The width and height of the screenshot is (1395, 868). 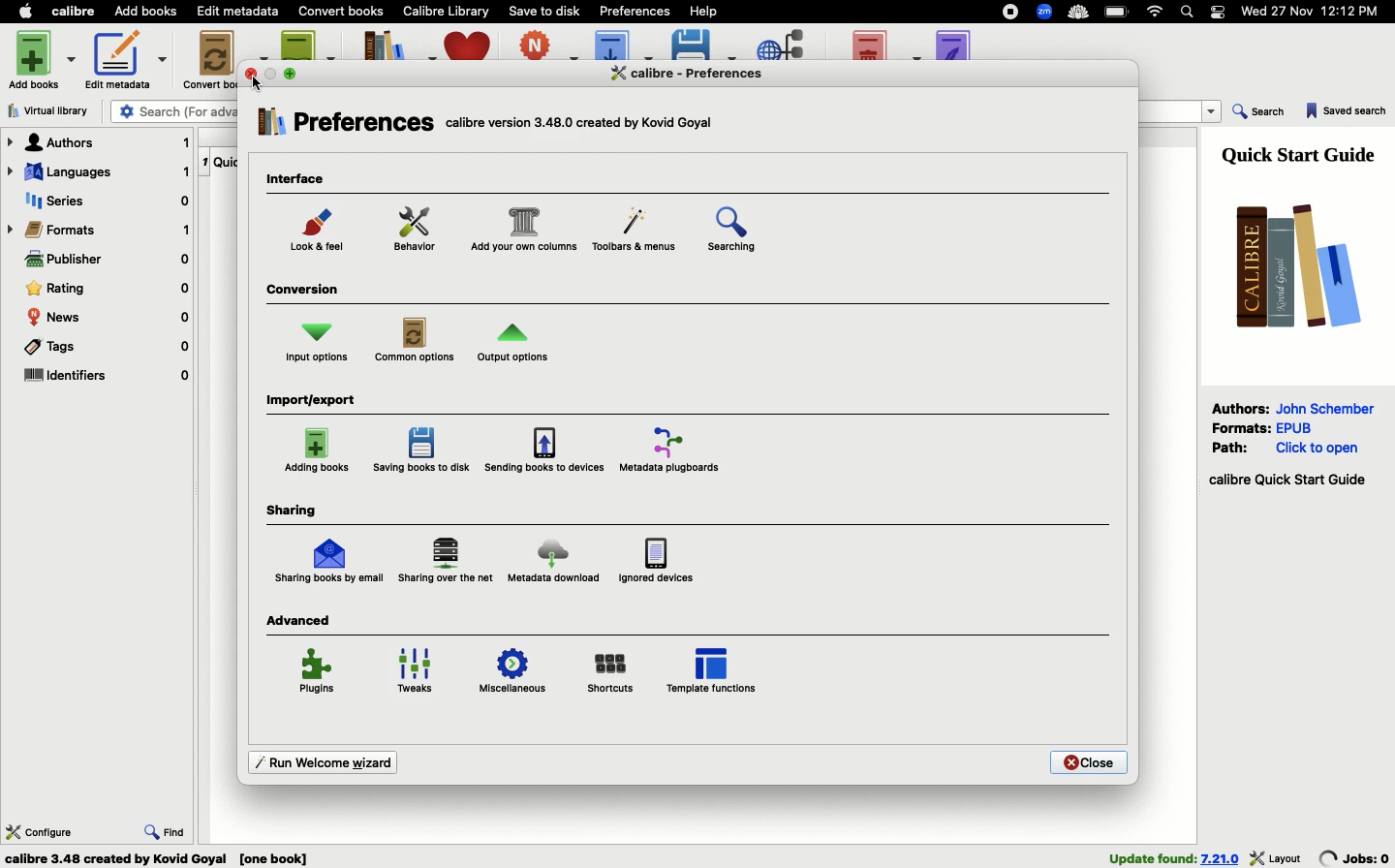 I want to click on Find, so click(x=166, y=829).